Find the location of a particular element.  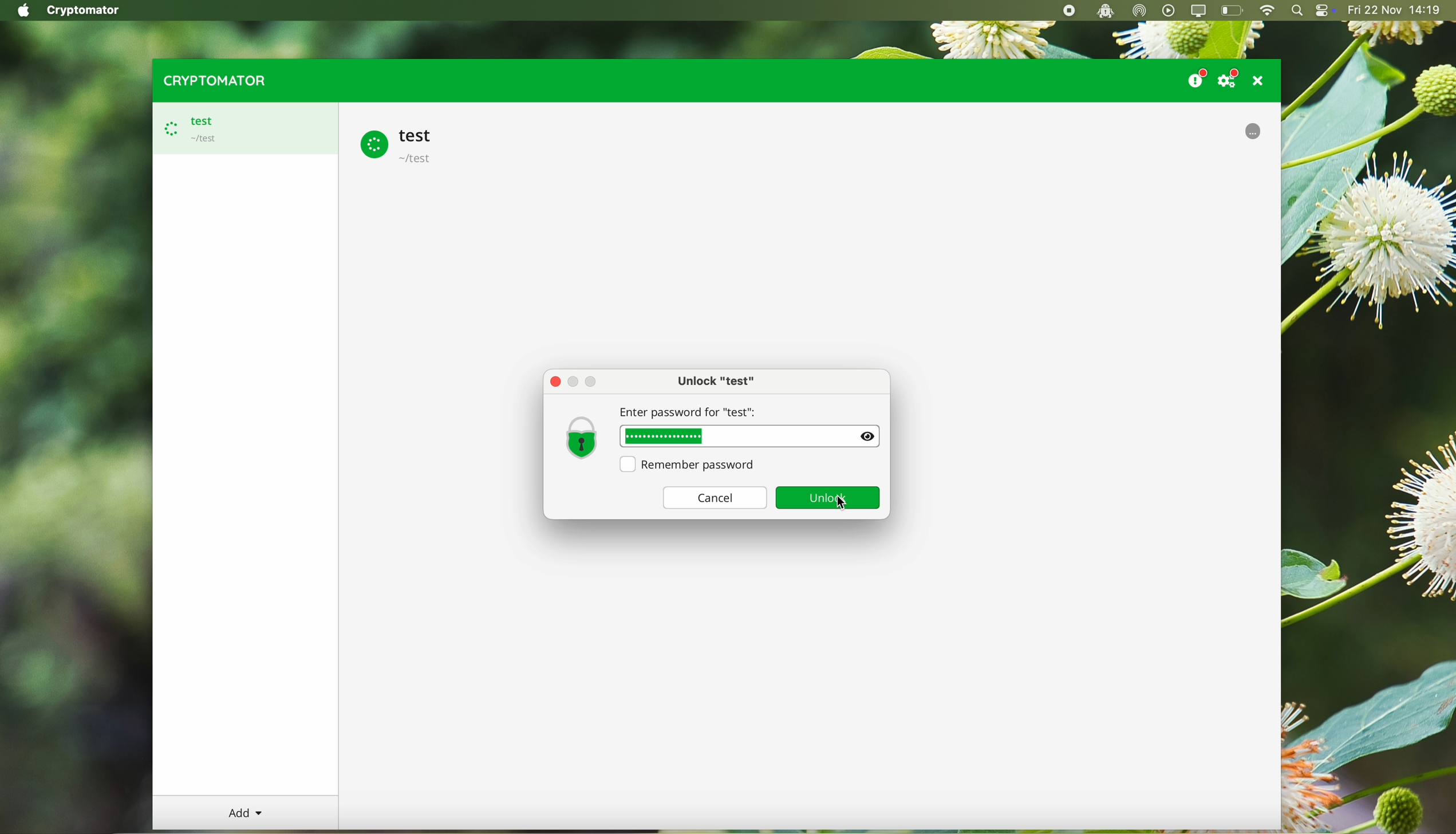

Maximize is located at coordinates (595, 382).